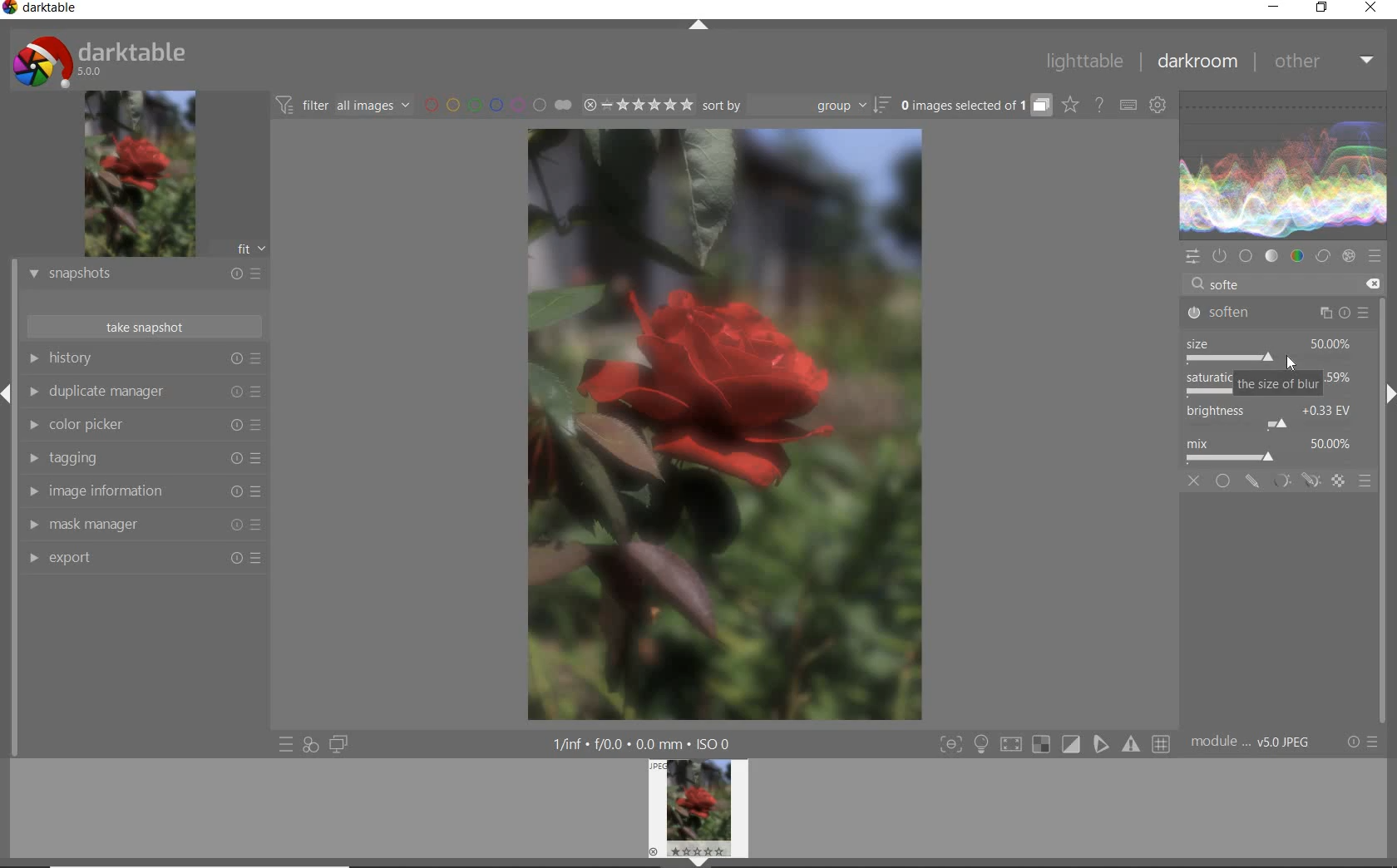 The width and height of the screenshot is (1397, 868). I want to click on the size of blur, so click(1278, 384).